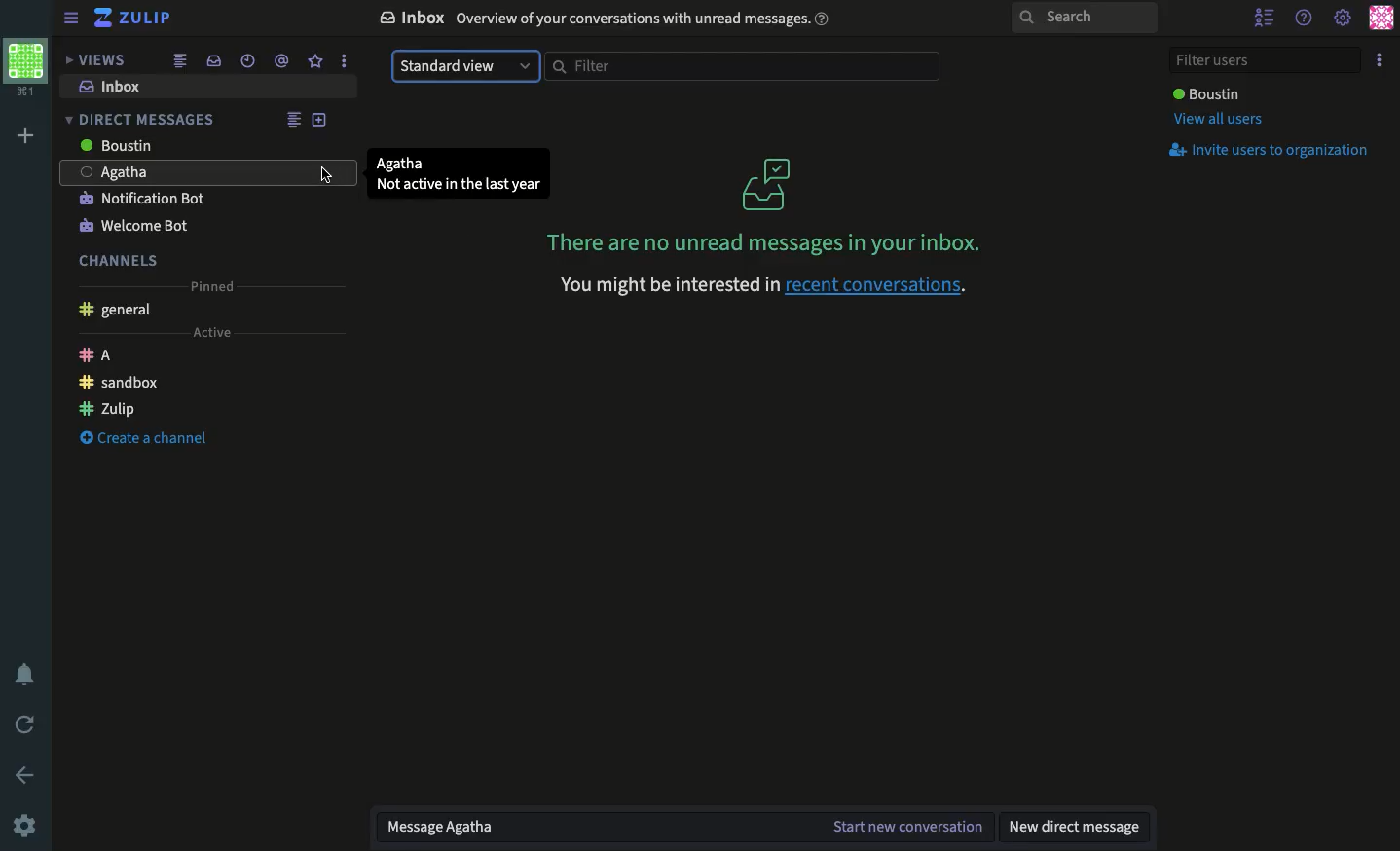  What do you see at coordinates (21, 773) in the screenshot?
I see `Back` at bounding box center [21, 773].